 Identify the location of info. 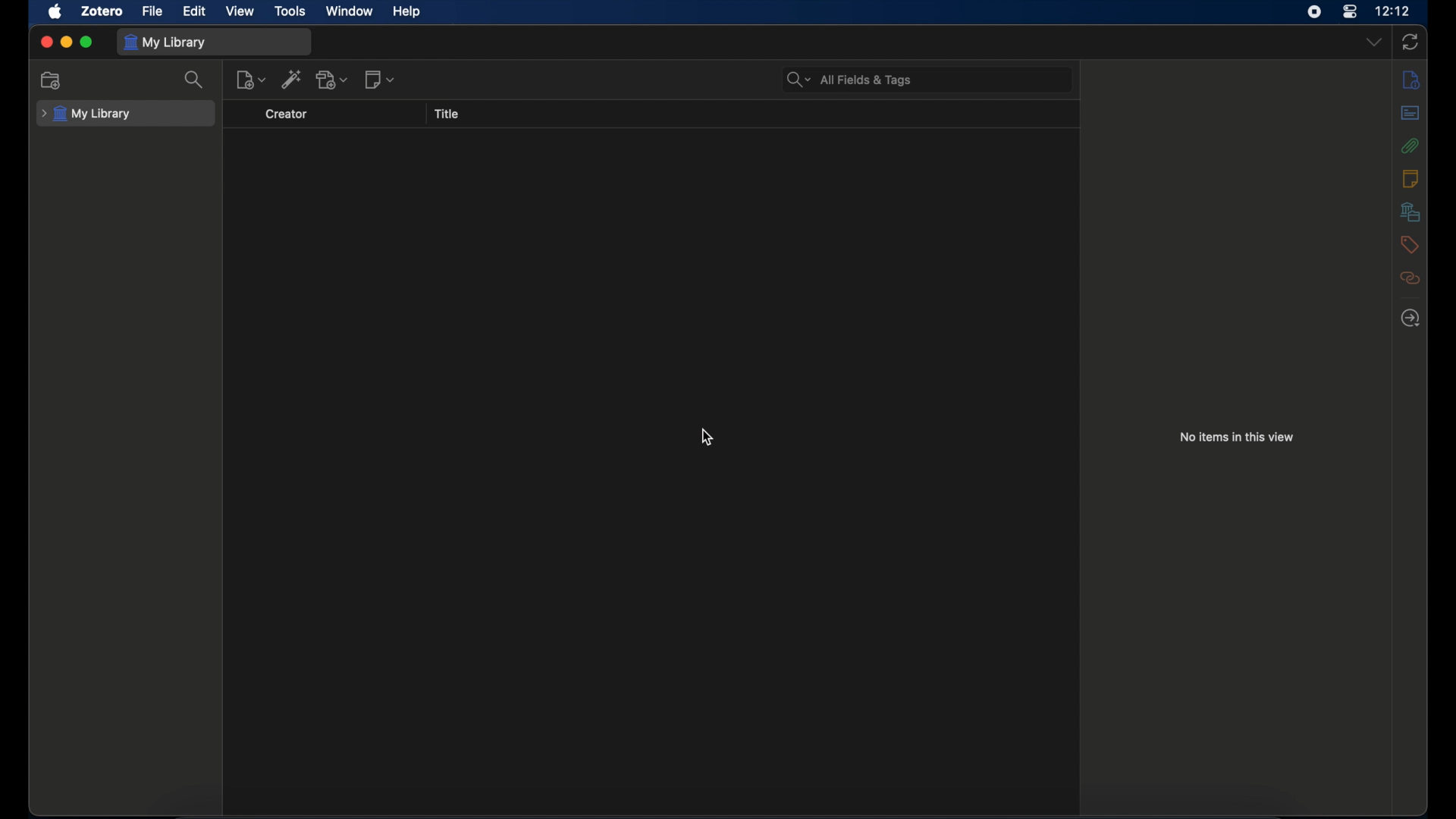
(1411, 81).